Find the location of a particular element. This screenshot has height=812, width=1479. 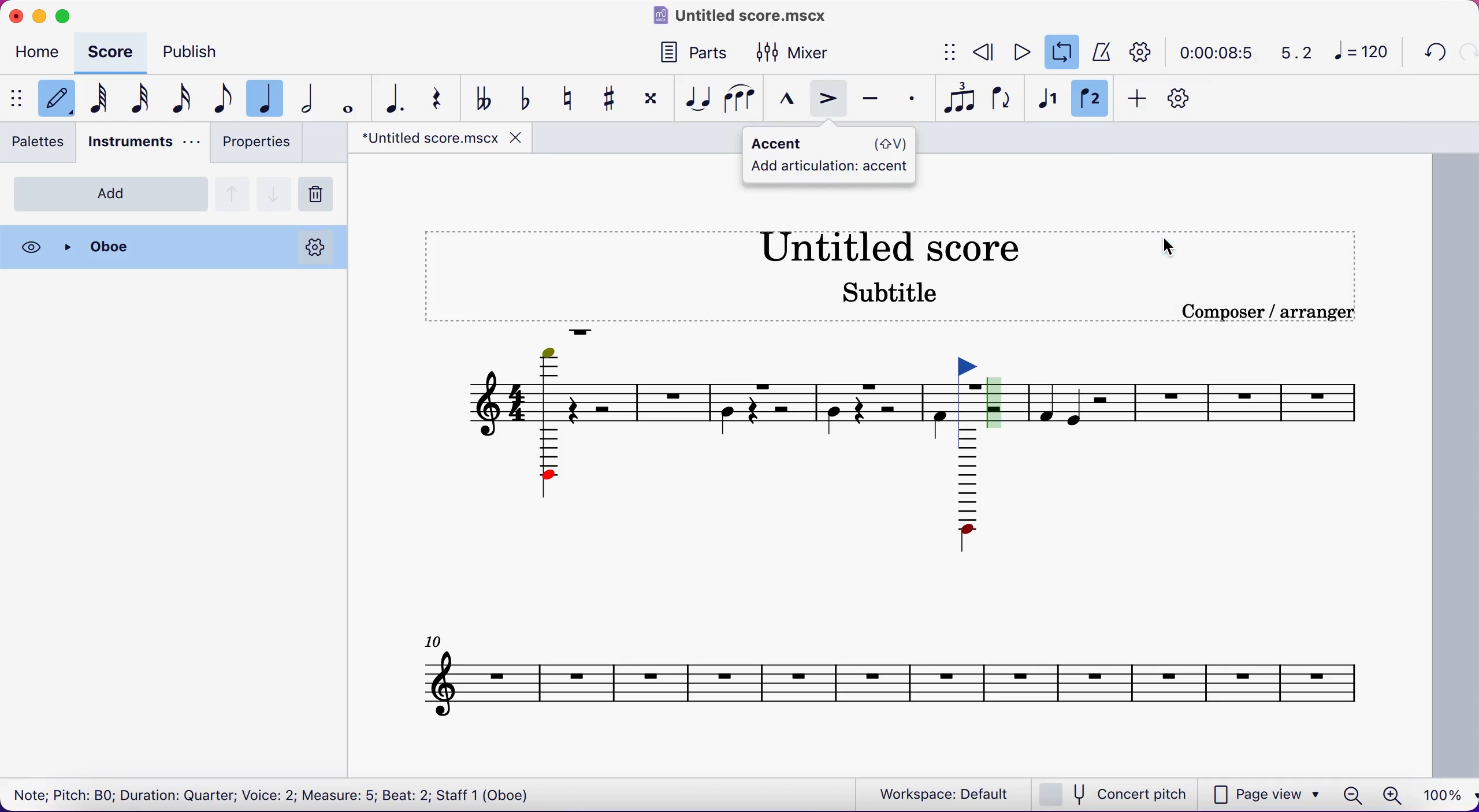

properties is located at coordinates (255, 145).